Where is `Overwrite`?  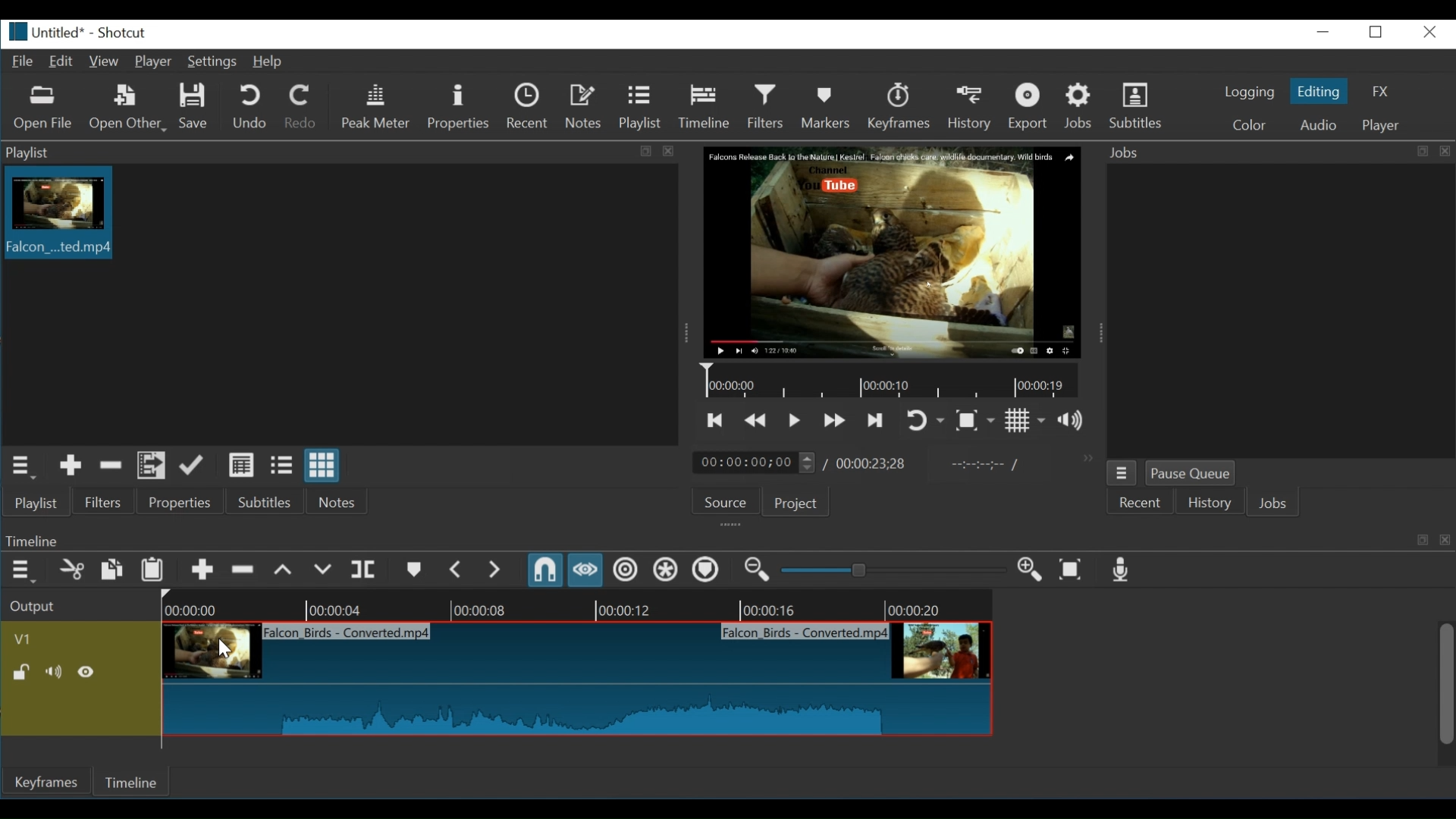
Overwrite is located at coordinates (322, 571).